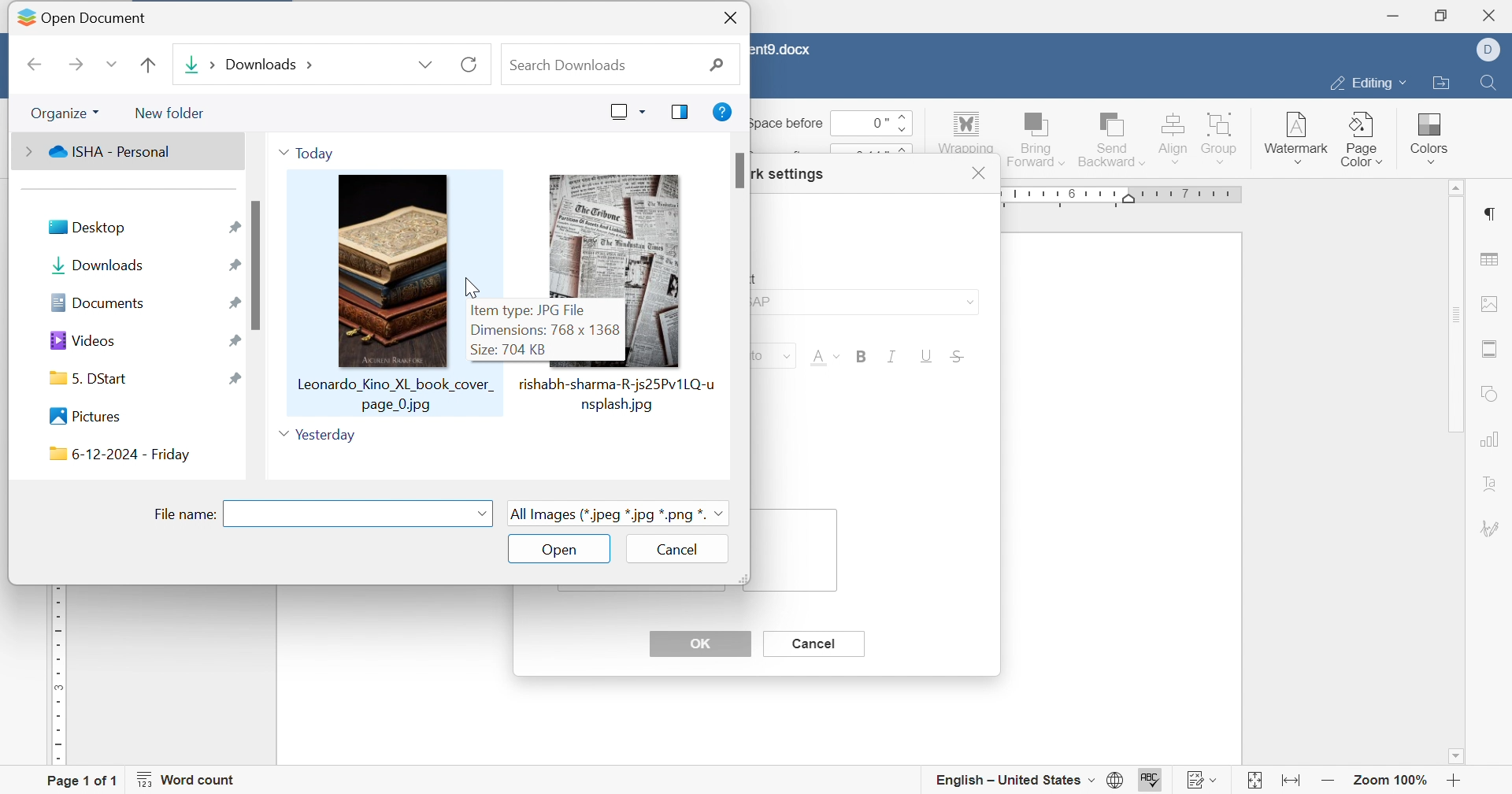  Describe the element at coordinates (1488, 214) in the screenshot. I see `paragraph settings` at that location.